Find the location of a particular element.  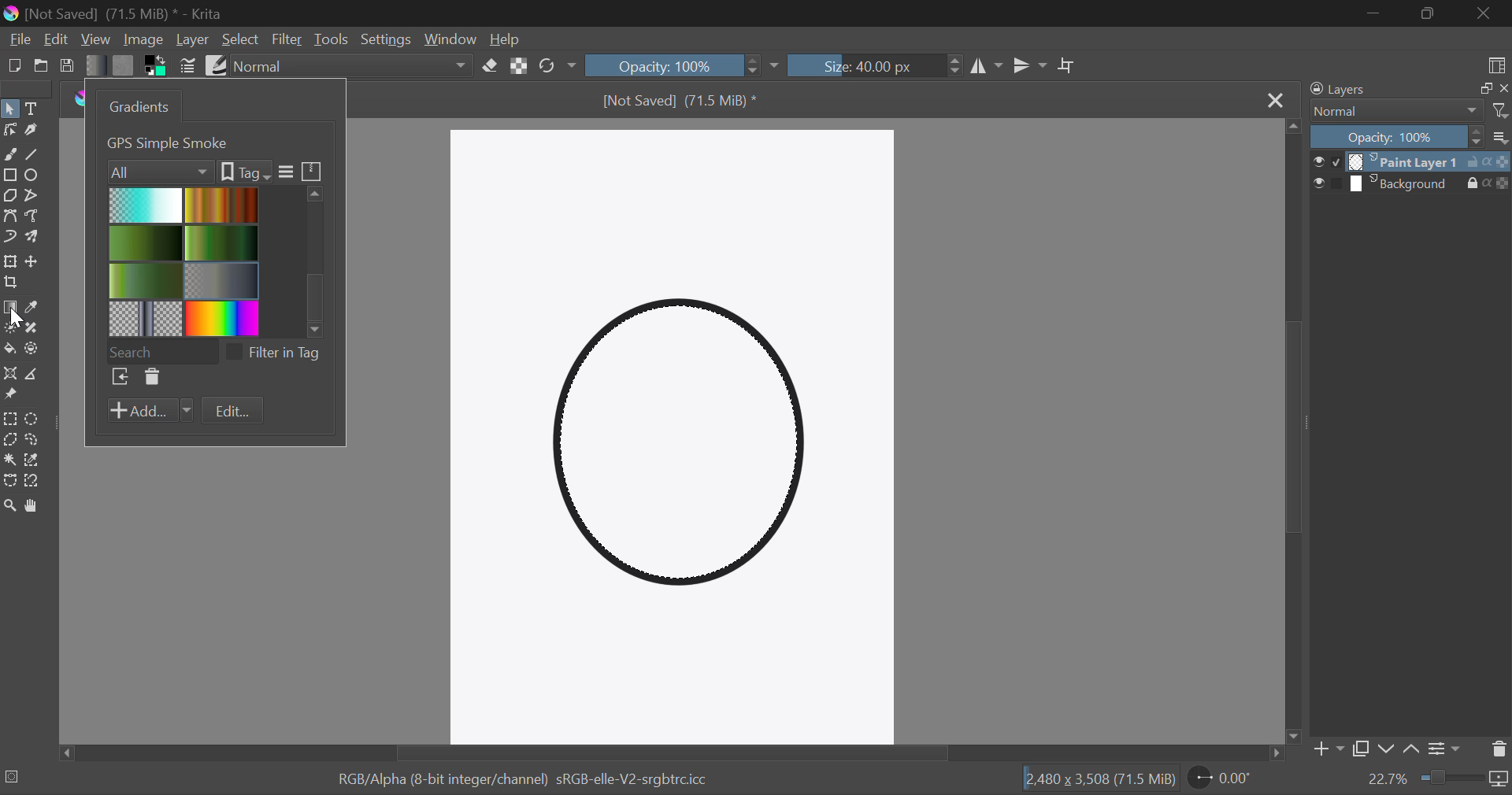

Layer is located at coordinates (193, 40).